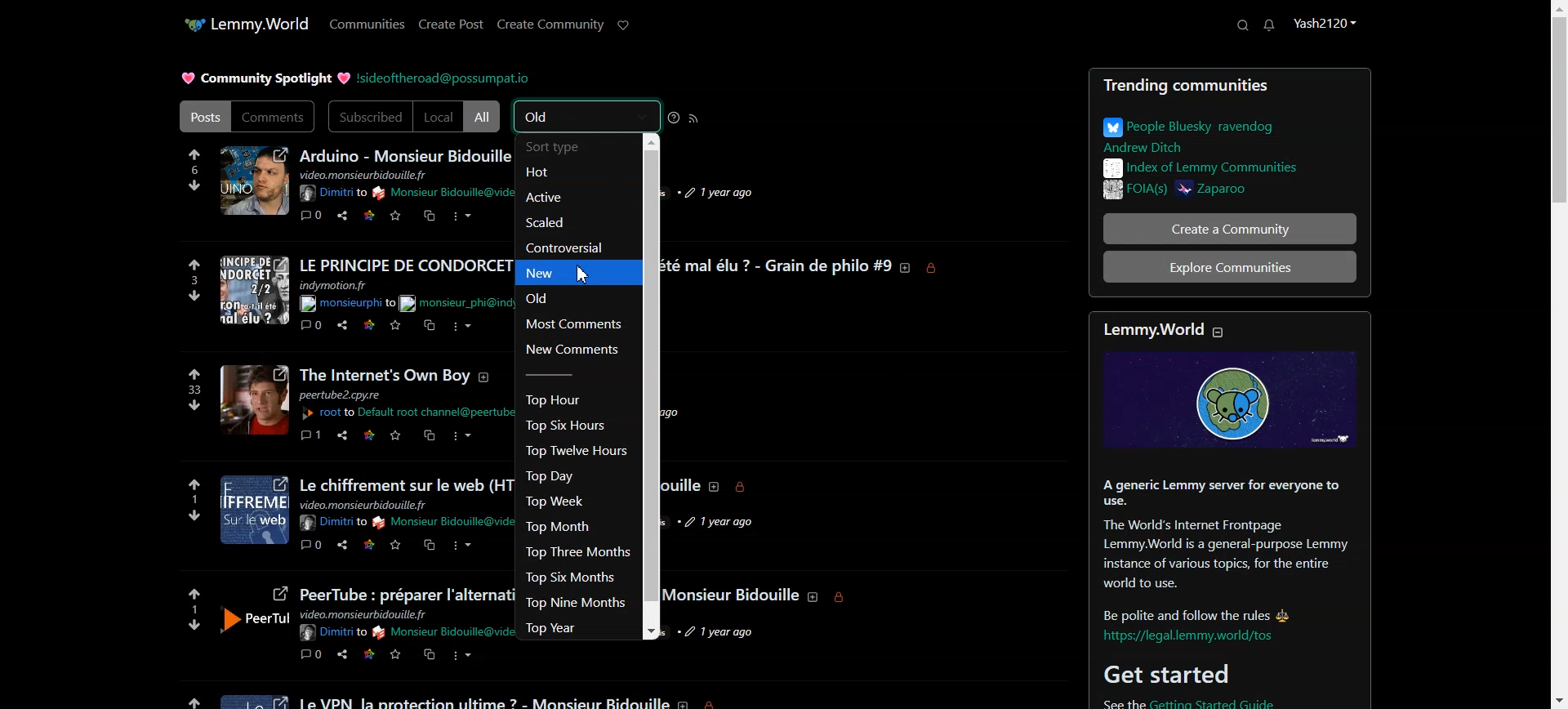 This screenshot has height=709, width=1568. I want to click on LE PRINCIPE DE CONDORCE, so click(406, 264).